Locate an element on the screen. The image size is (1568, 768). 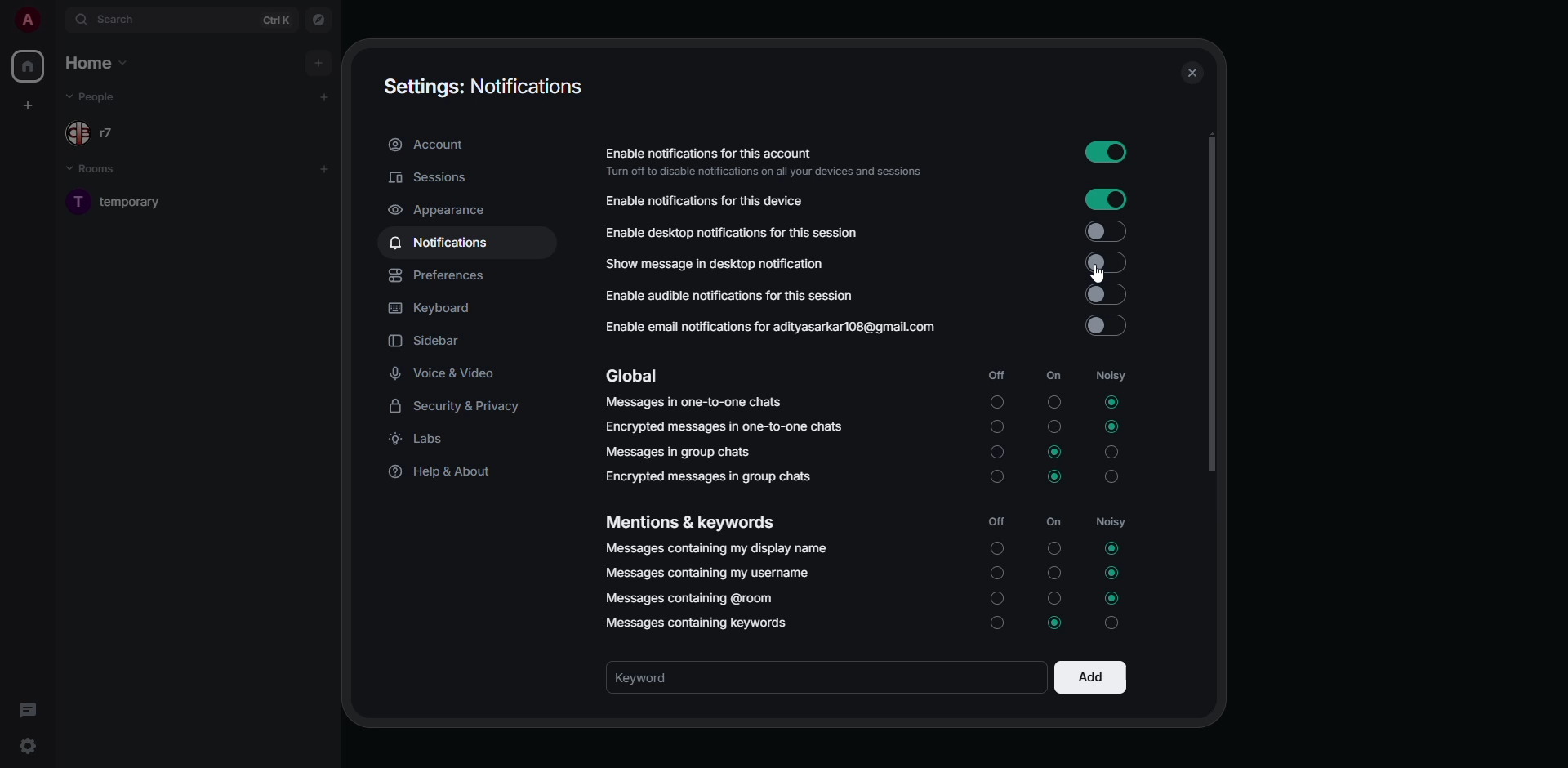
profile is located at coordinates (25, 20).